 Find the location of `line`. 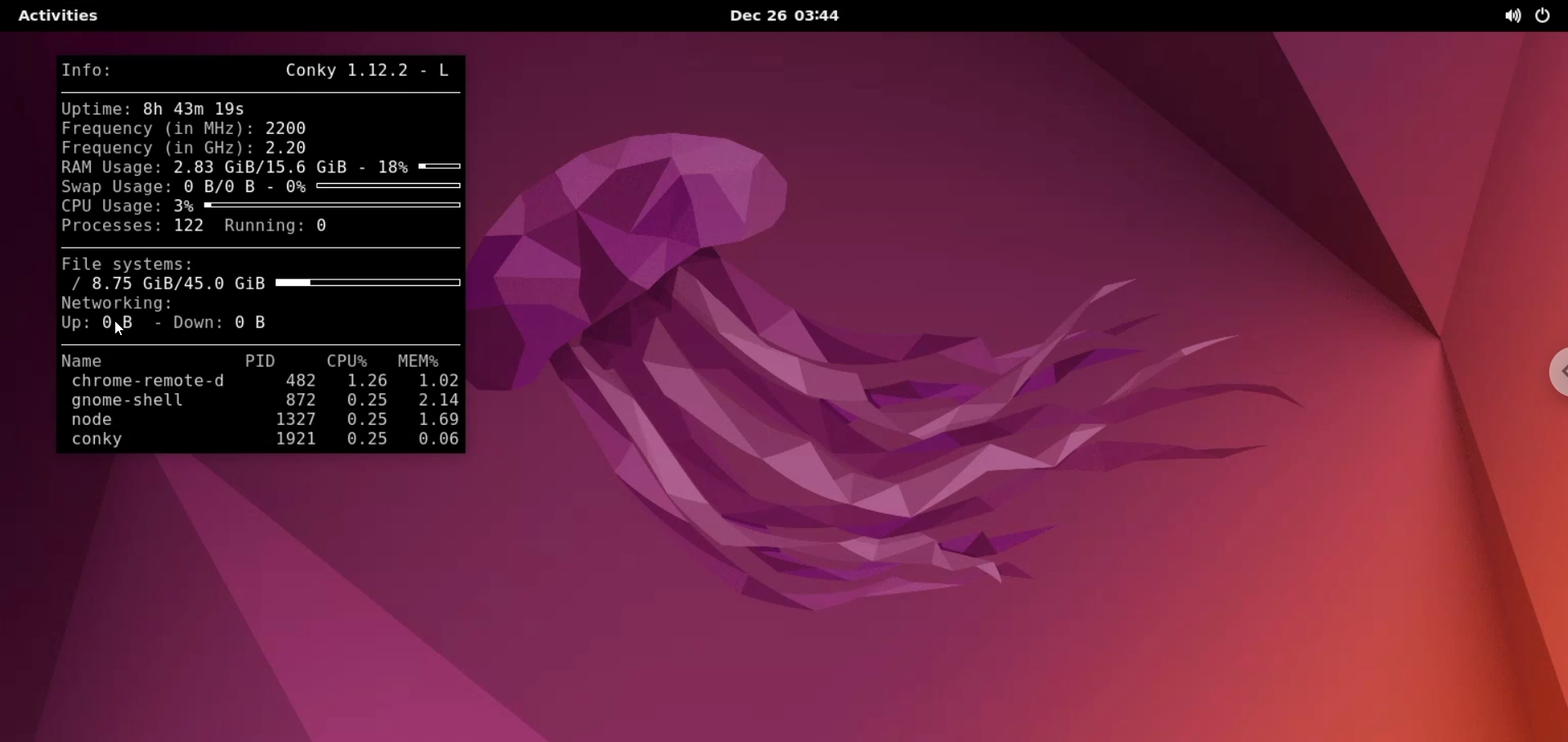

line is located at coordinates (260, 247).